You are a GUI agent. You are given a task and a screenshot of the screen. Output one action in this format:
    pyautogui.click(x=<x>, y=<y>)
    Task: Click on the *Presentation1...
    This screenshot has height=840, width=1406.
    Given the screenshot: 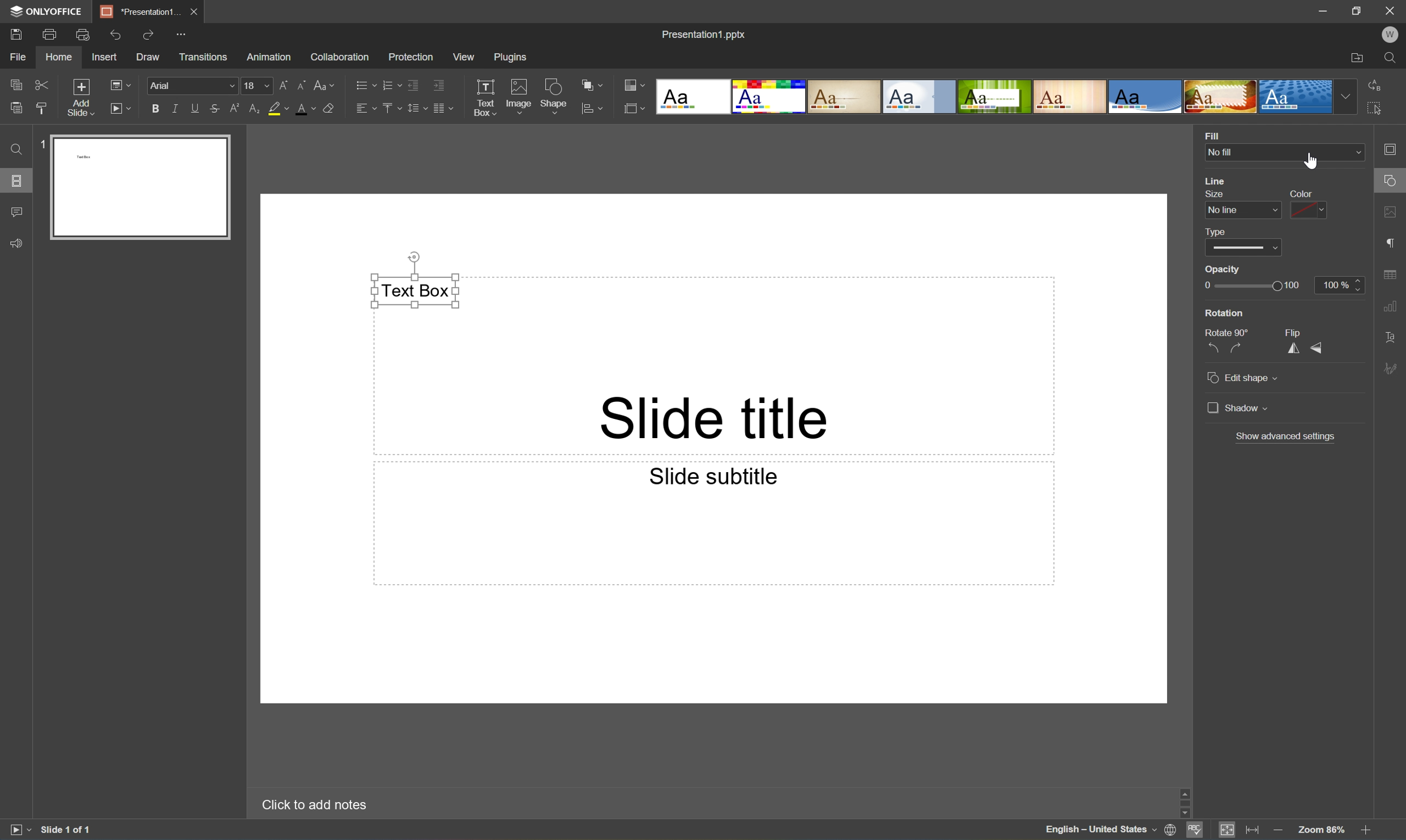 What is the action you would take?
    pyautogui.click(x=140, y=12)
    